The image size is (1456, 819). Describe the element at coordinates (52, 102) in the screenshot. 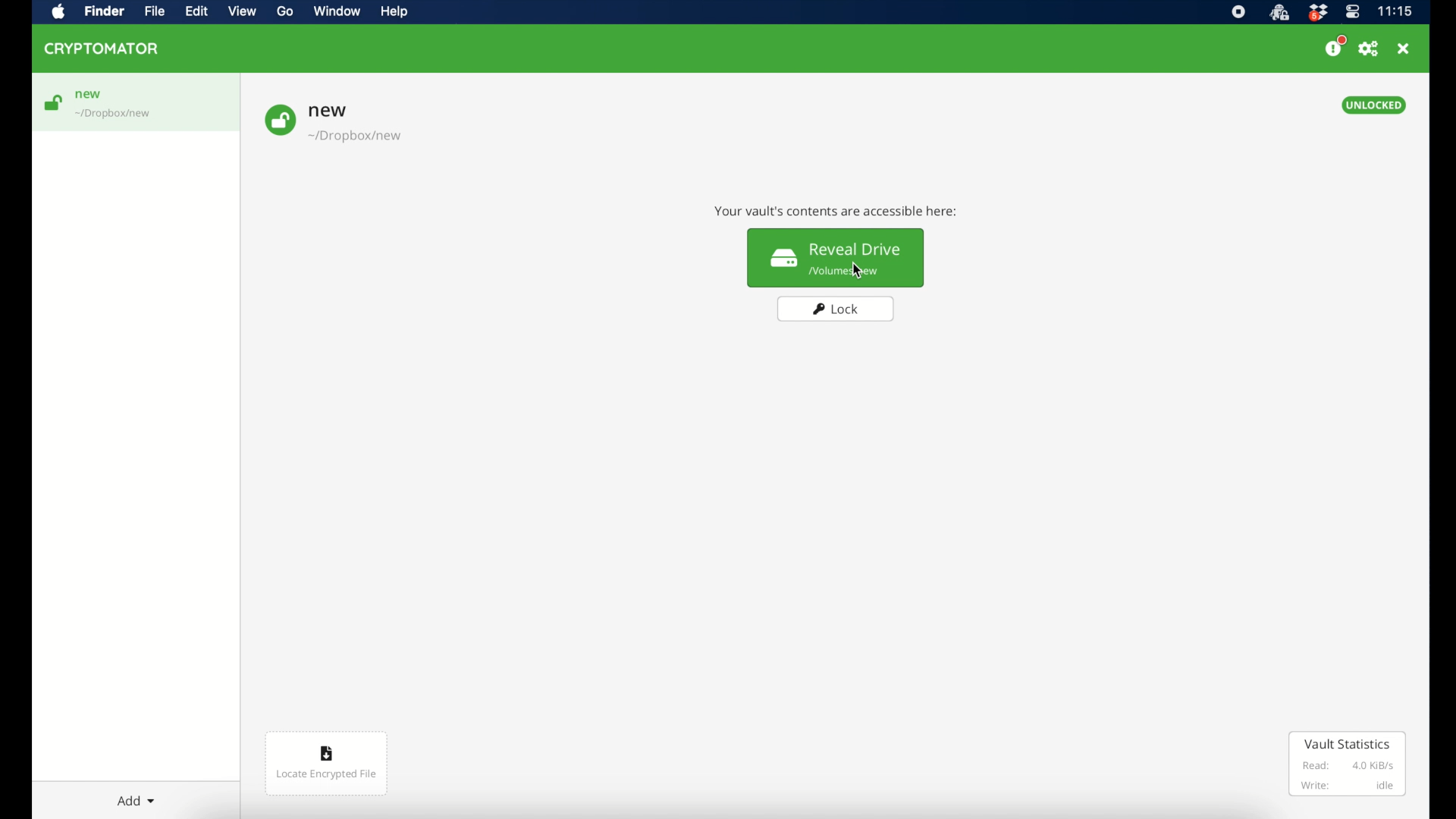

I see `unlock` at that location.